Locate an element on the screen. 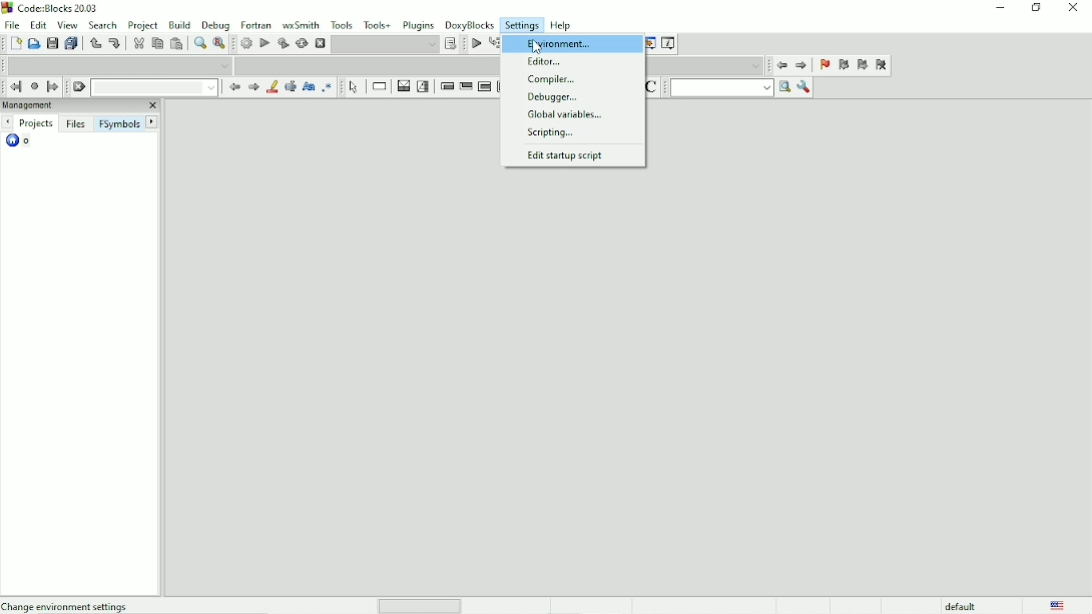 The width and height of the screenshot is (1092, 614). Cut is located at coordinates (137, 43).